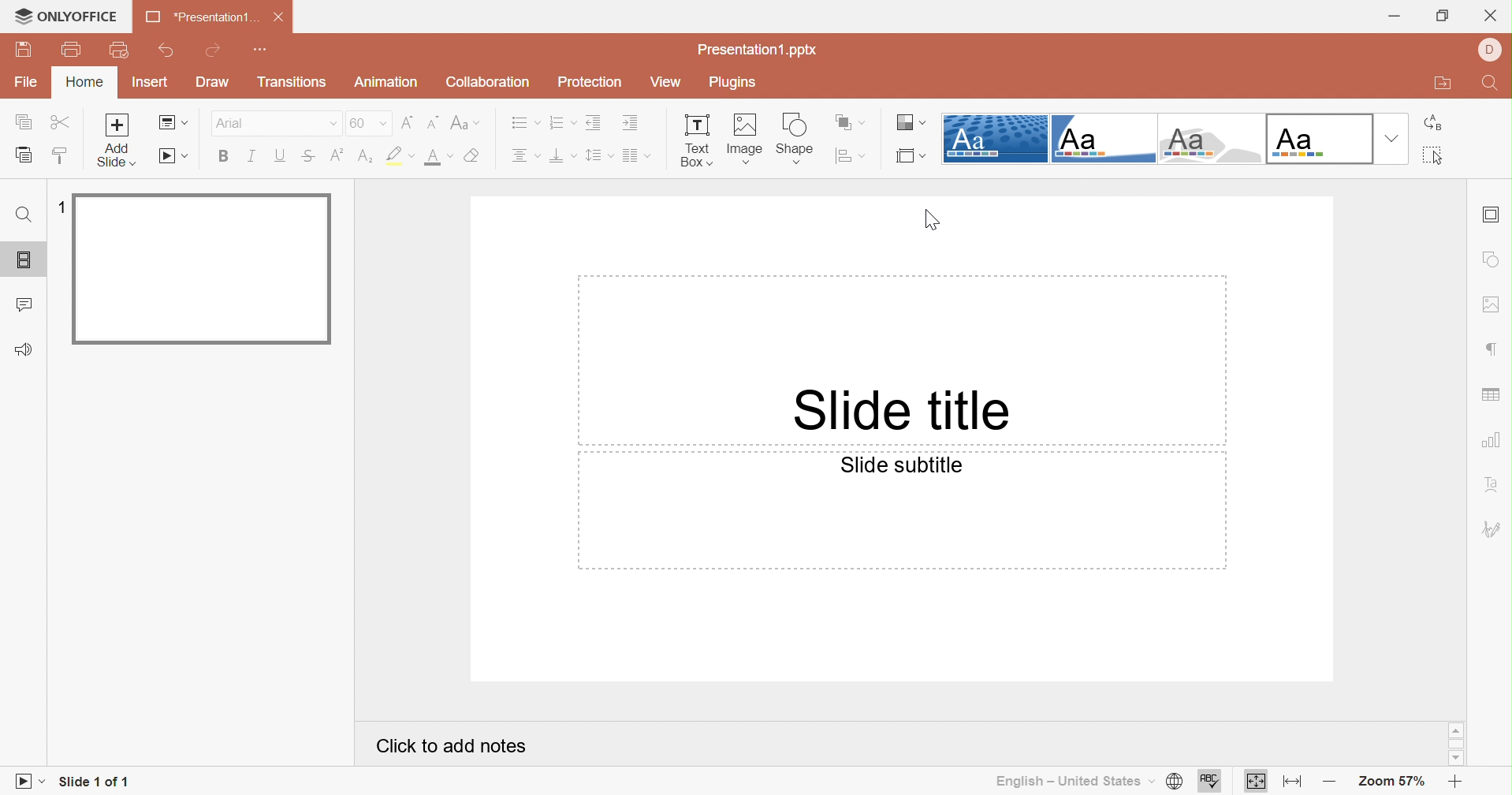  Describe the element at coordinates (1436, 125) in the screenshot. I see `Replace` at that location.